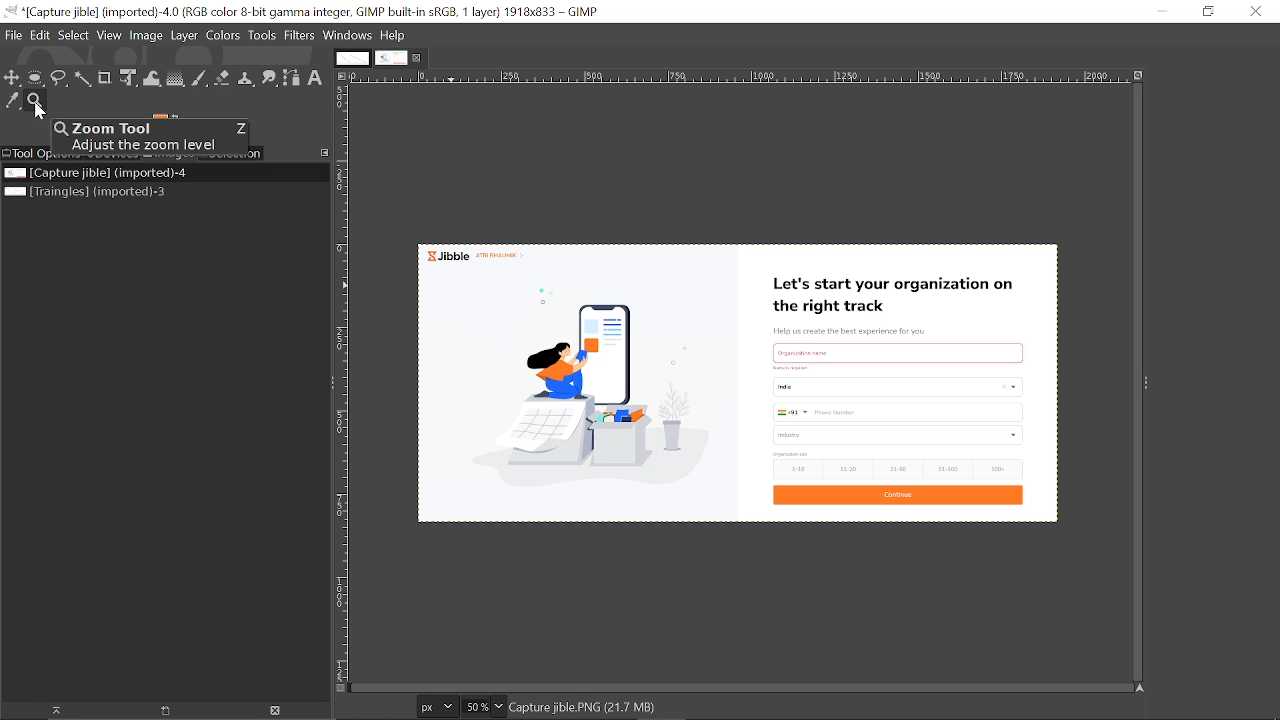  Describe the element at coordinates (1207, 12) in the screenshot. I see `Restore down` at that location.